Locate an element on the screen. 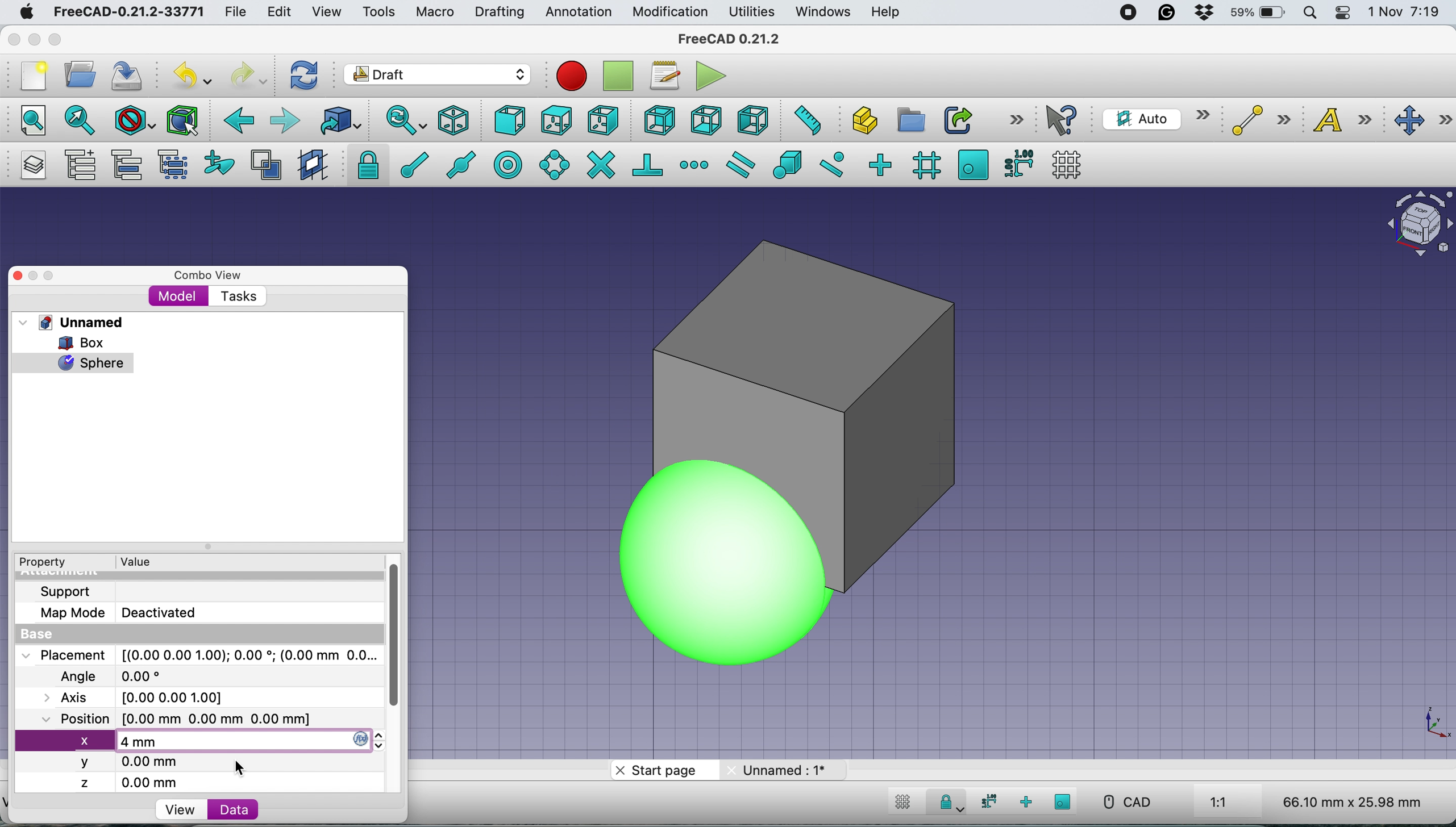 The width and height of the screenshot is (1456, 827). drafting is located at coordinates (499, 13).